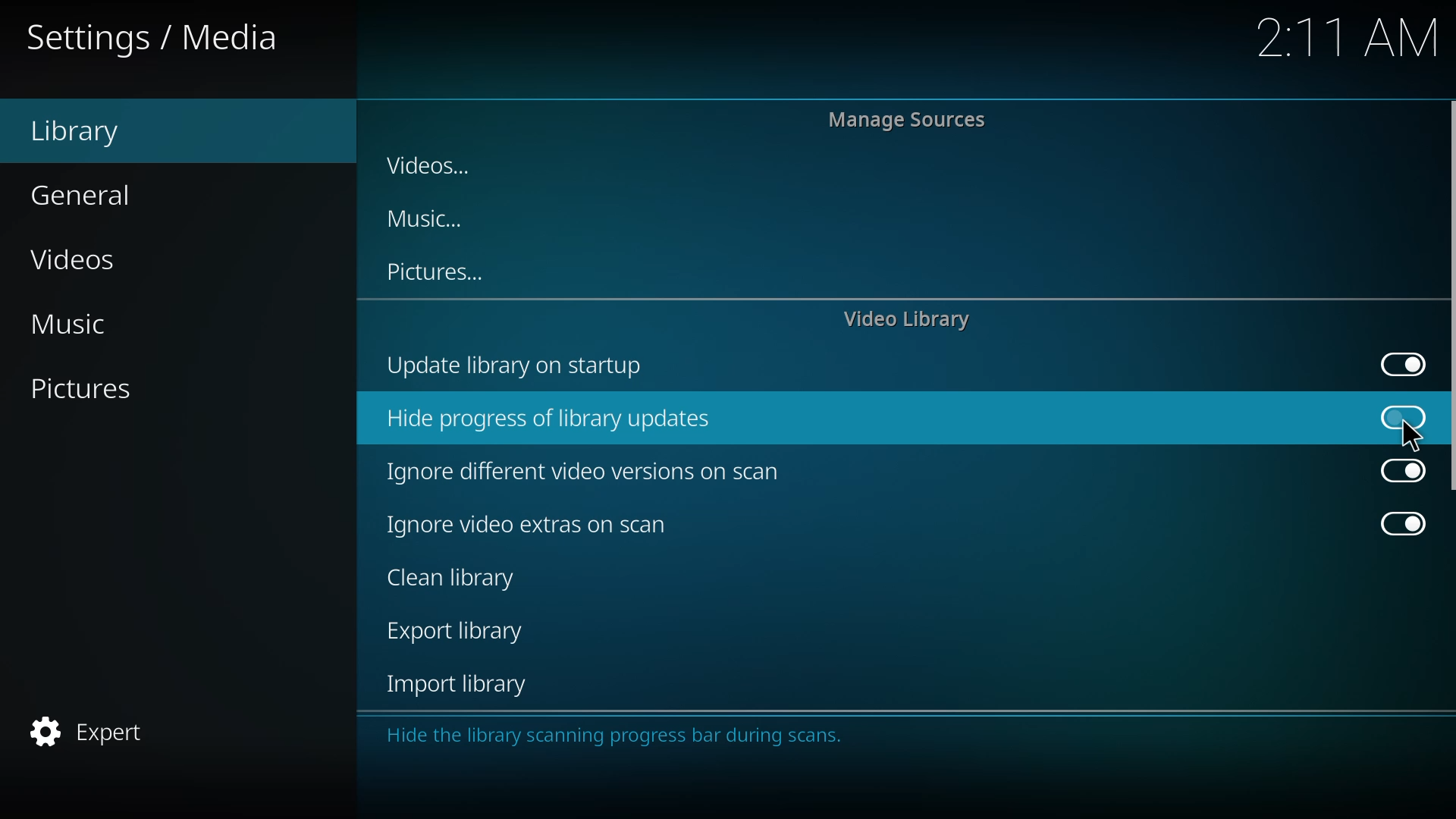 The image size is (1456, 819). Describe the element at coordinates (560, 416) in the screenshot. I see `hide progress of library updates` at that location.